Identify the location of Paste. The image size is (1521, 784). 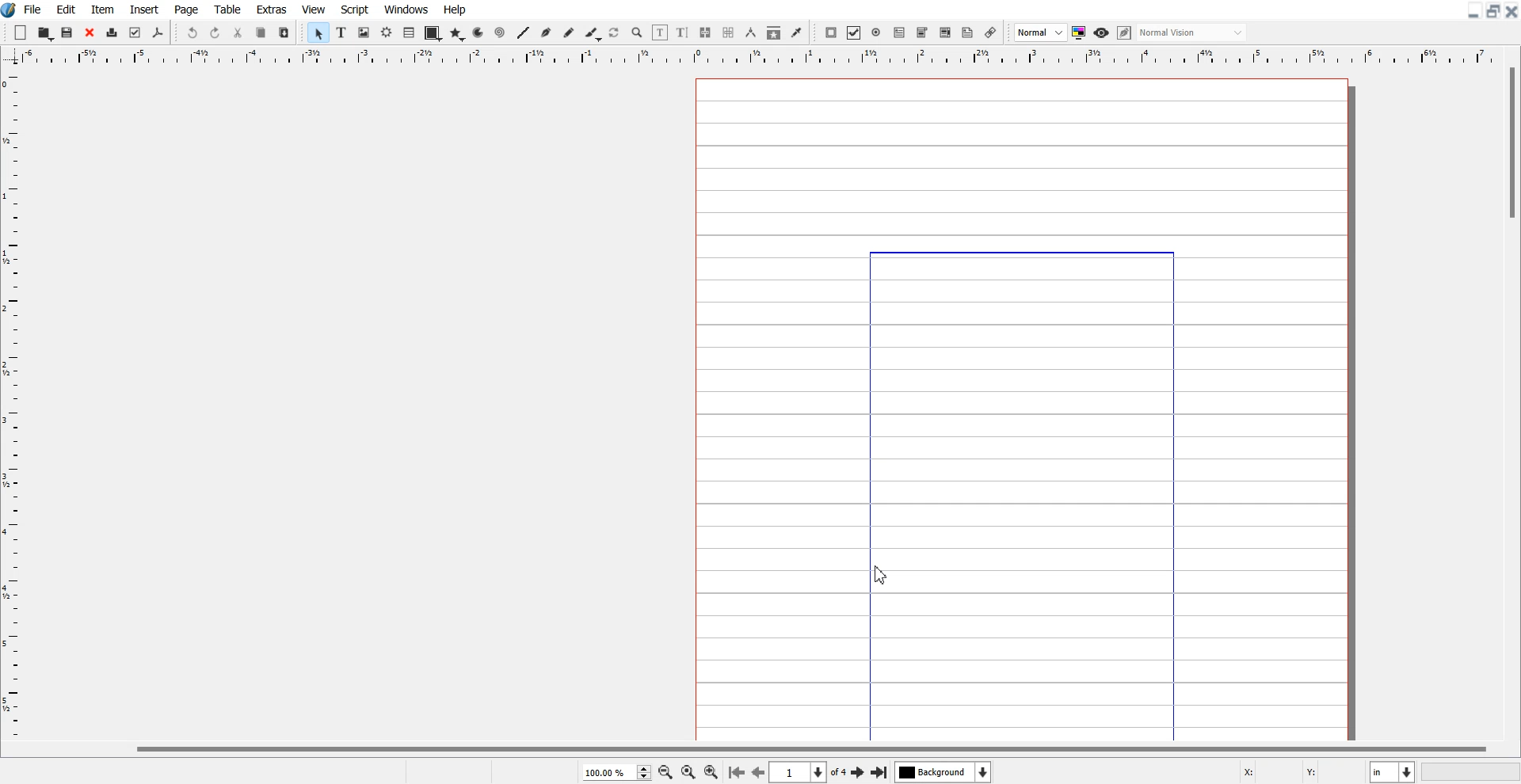
(284, 32).